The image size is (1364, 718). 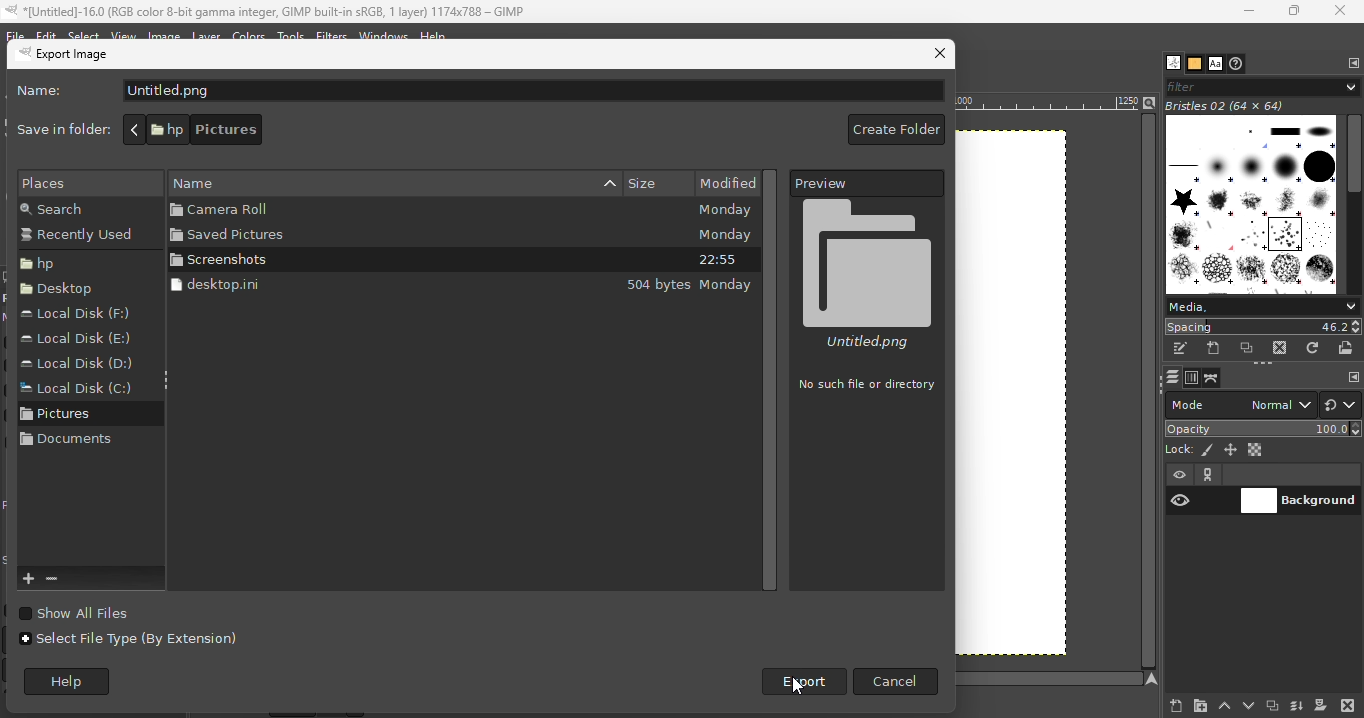 I want to click on Image tags, so click(x=1253, y=206).